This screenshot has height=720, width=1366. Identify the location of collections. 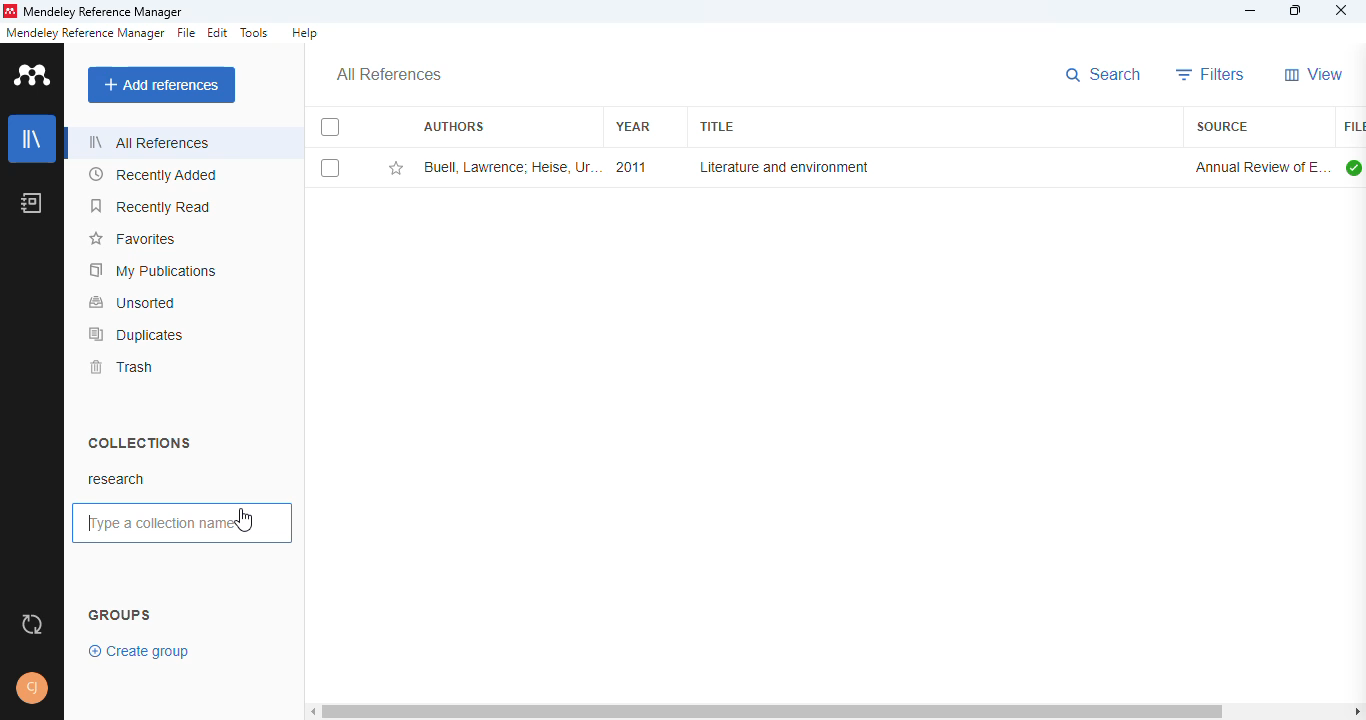
(141, 443).